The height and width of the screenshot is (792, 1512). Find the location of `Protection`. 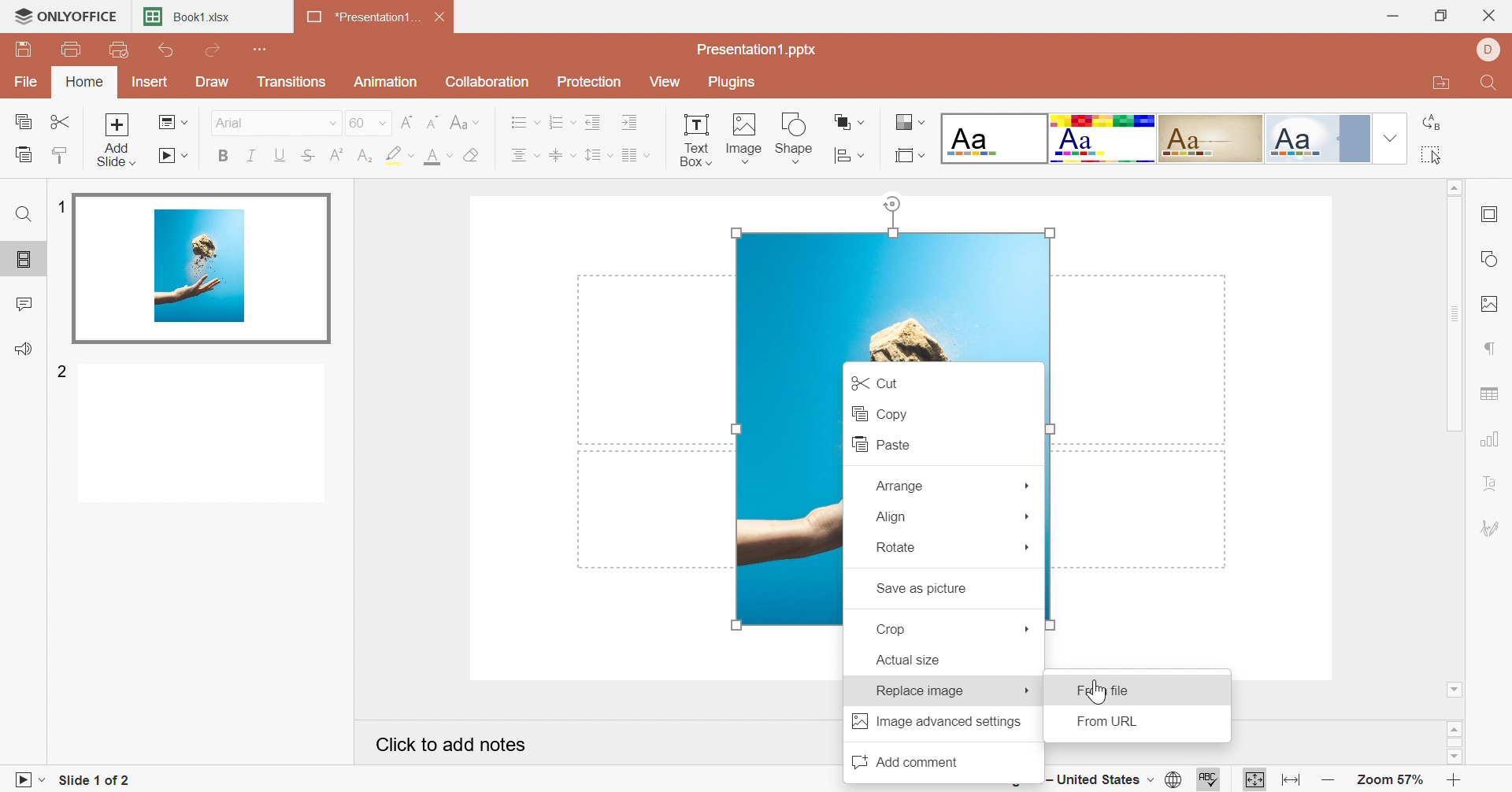

Protection is located at coordinates (591, 82).